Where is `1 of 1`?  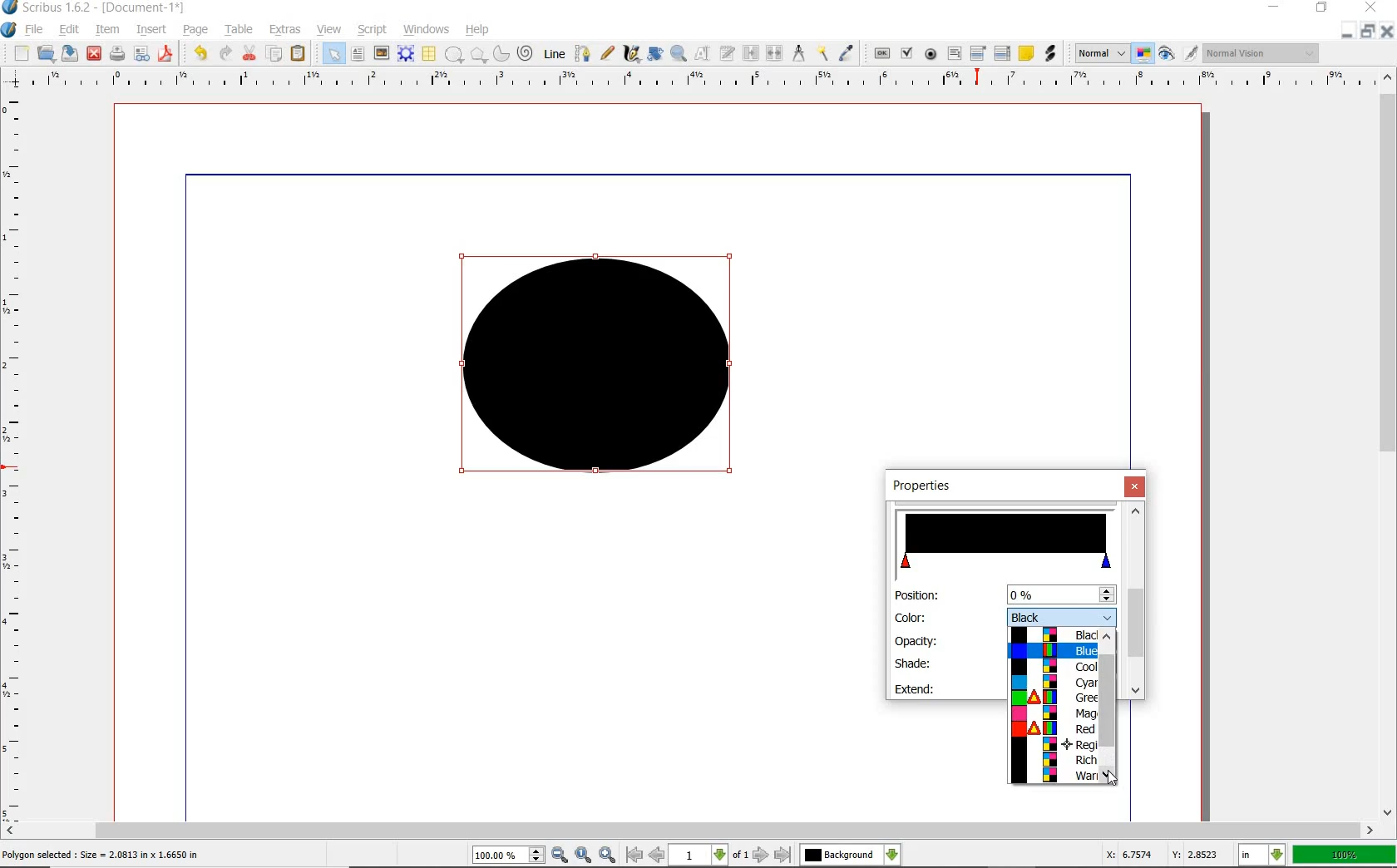 1 of 1 is located at coordinates (710, 855).